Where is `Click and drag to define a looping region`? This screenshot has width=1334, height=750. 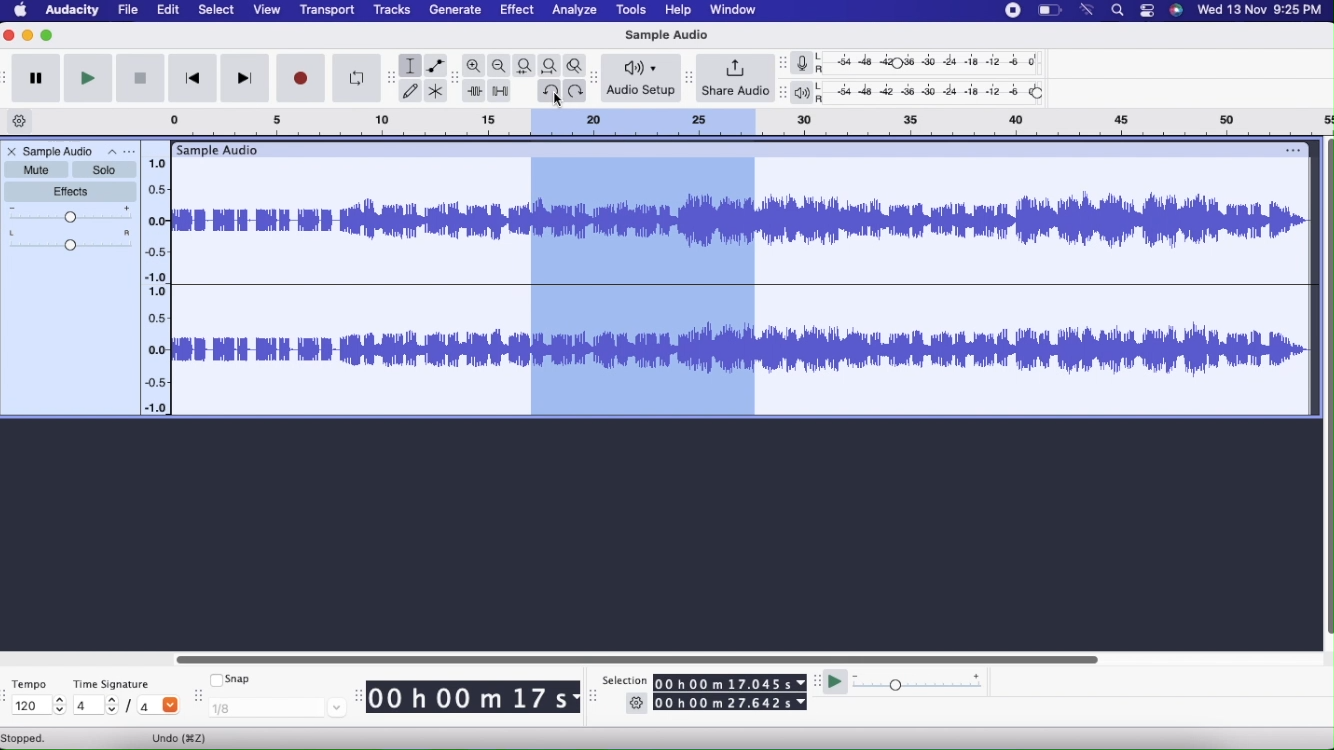
Click and drag to define a looping region is located at coordinates (642, 125).